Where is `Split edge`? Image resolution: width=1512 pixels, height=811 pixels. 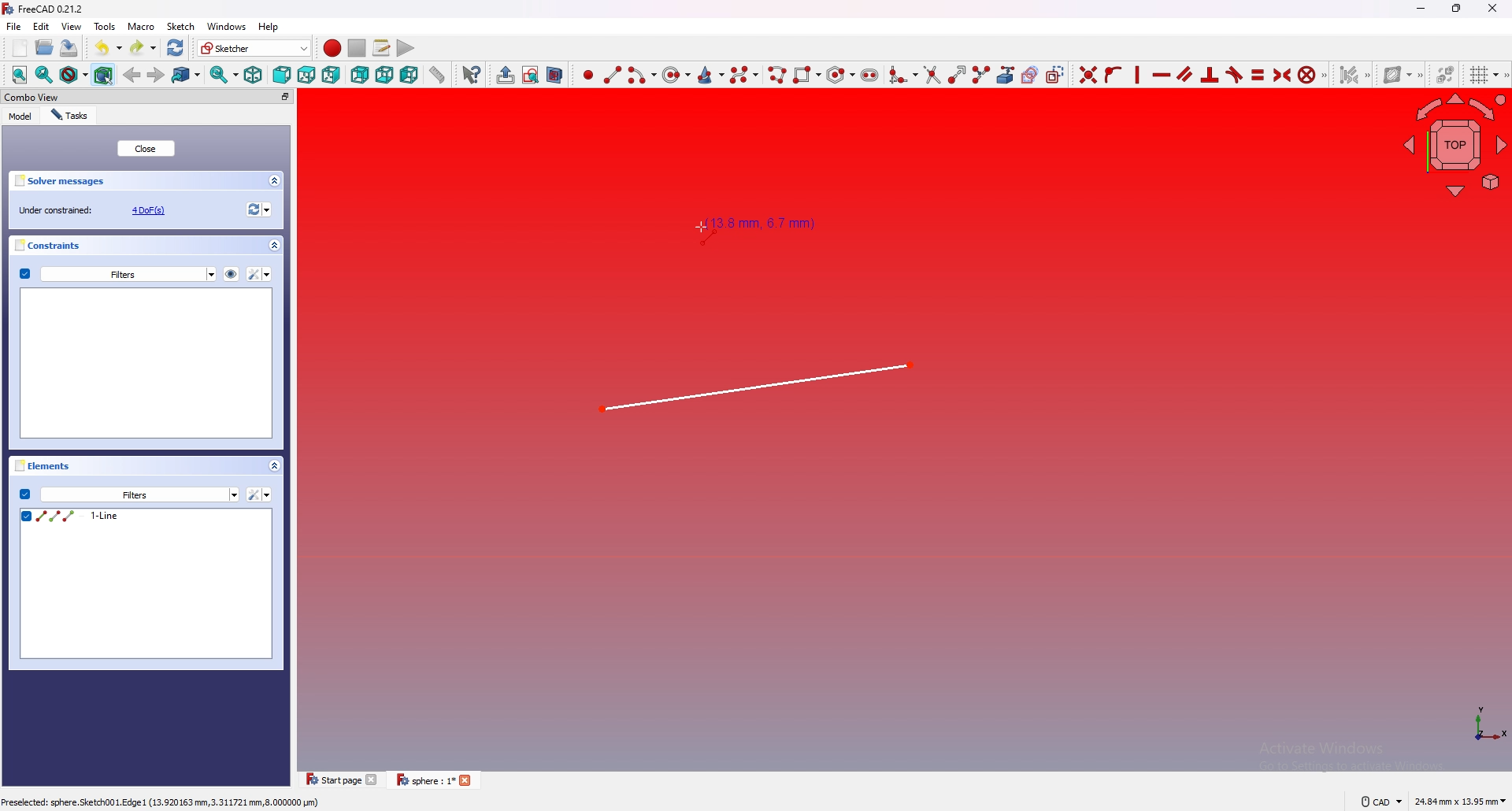
Split edge is located at coordinates (980, 74).